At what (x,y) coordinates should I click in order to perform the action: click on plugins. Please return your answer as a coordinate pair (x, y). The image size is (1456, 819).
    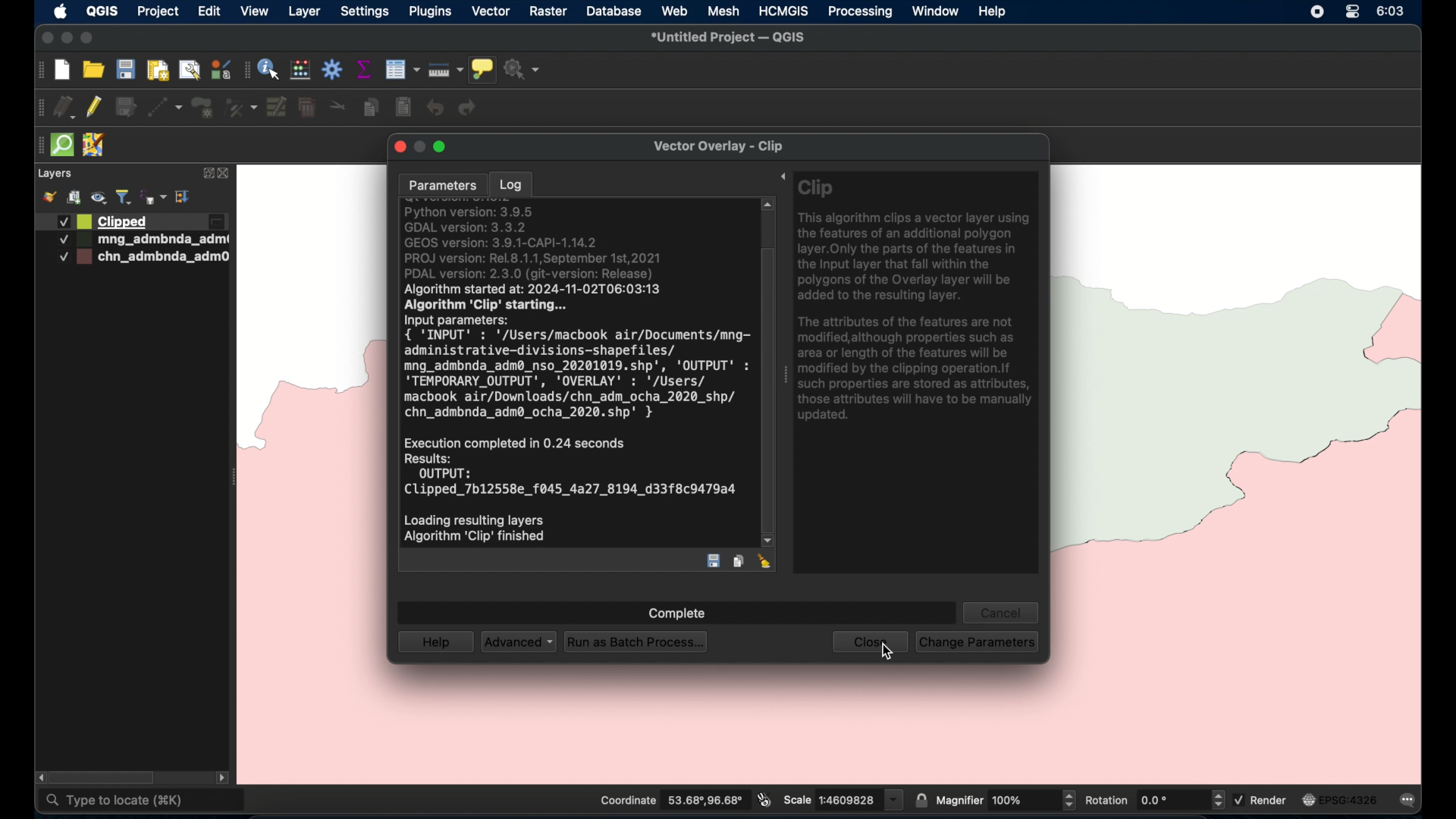
    Looking at the image, I should click on (429, 11).